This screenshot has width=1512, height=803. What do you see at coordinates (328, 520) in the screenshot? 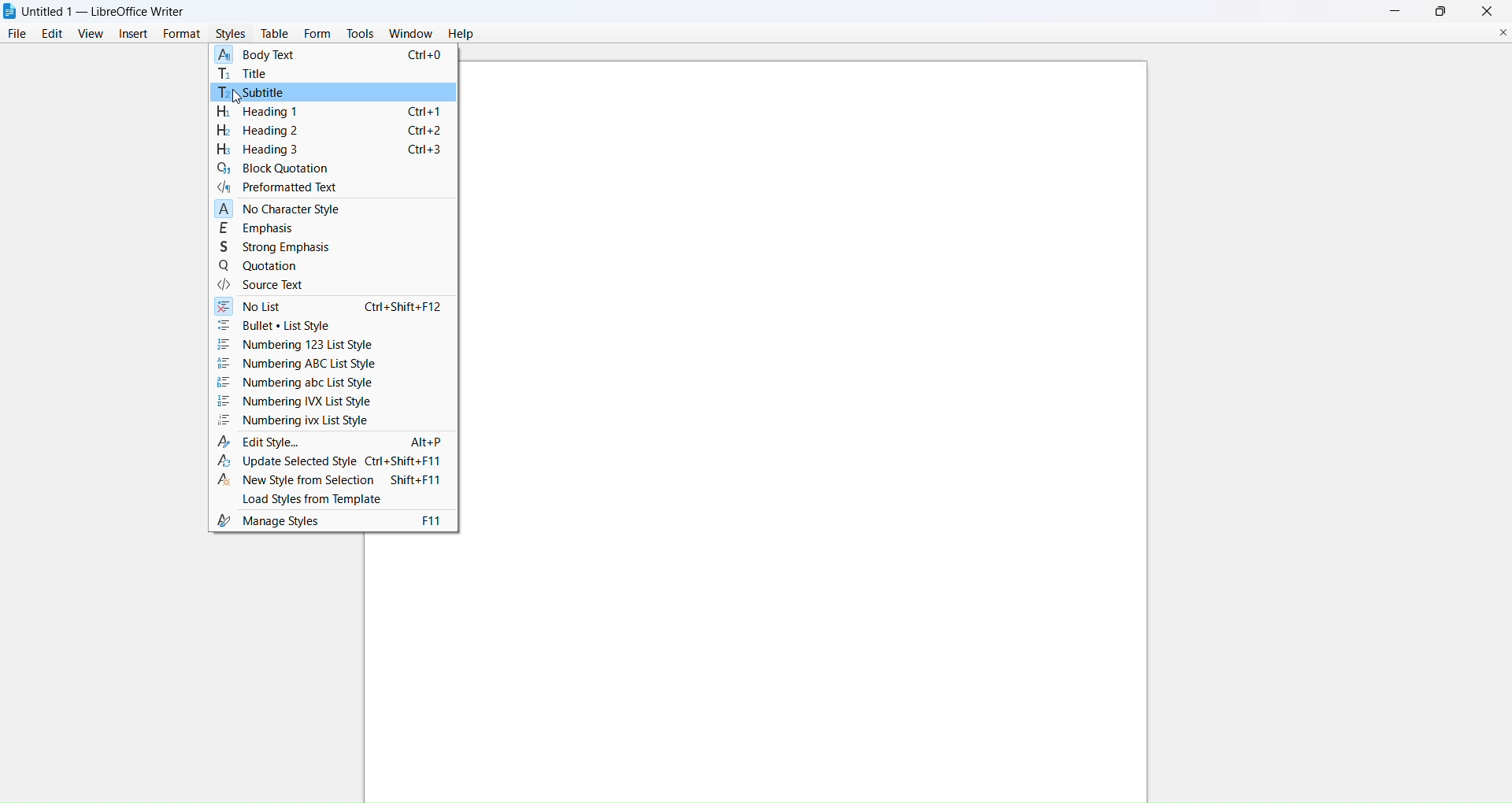
I see `manage styles              F11` at bounding box center [328, 520].